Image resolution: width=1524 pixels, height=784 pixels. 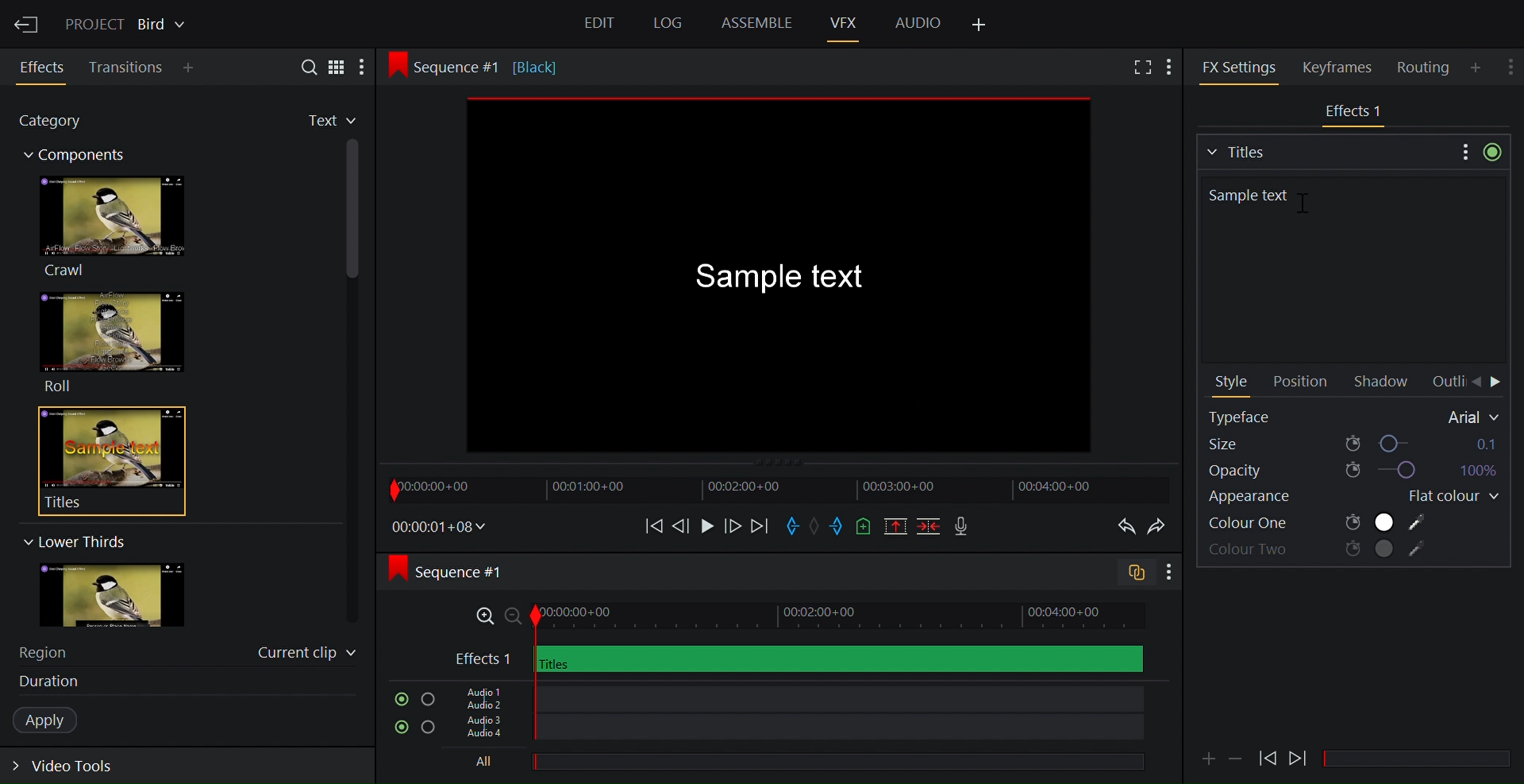 What do you see at coordinates (110, 226) in the screenshot?
I see `Crawl` at bounding box center [110, 226].